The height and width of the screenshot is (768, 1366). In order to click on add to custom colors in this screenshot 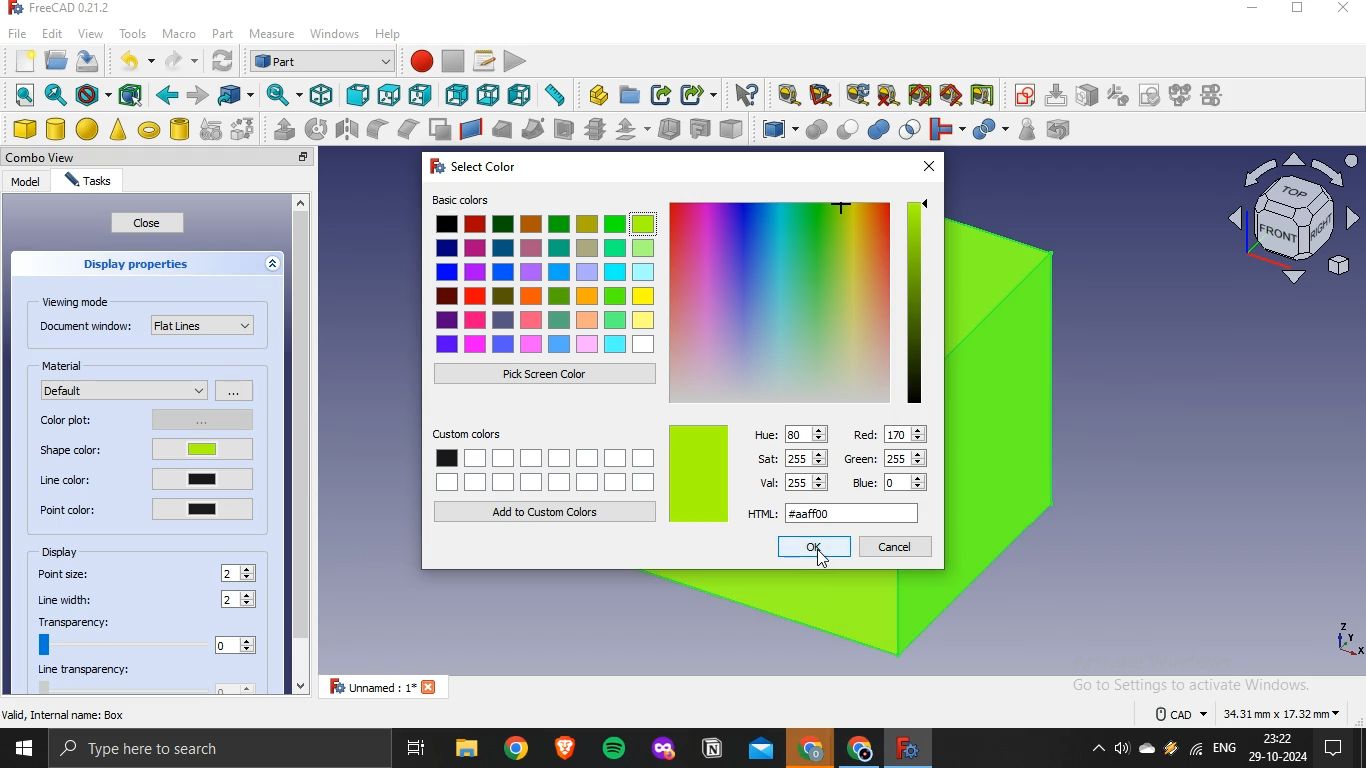, I will do `click(546, 511)`.